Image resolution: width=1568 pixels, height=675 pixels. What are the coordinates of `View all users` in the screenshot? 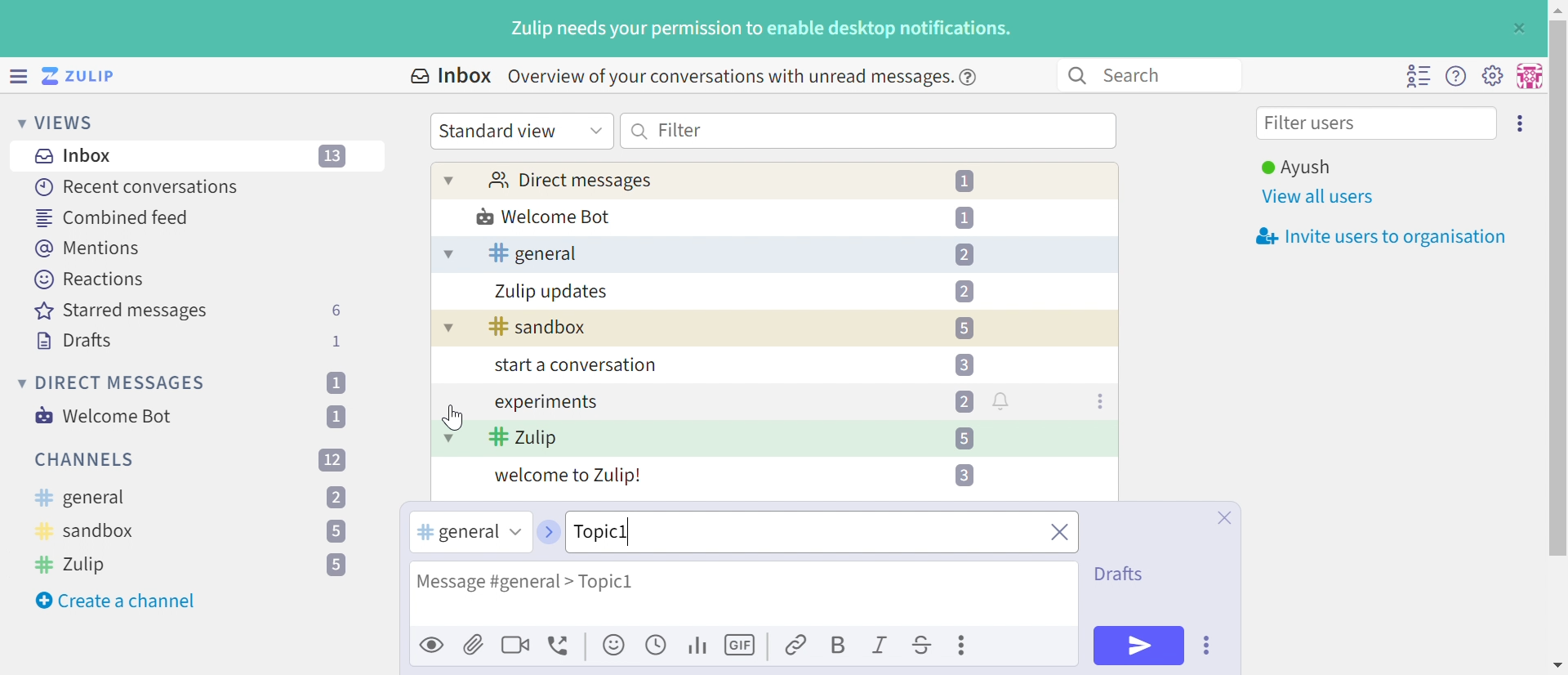 It's located at (1319, 198).